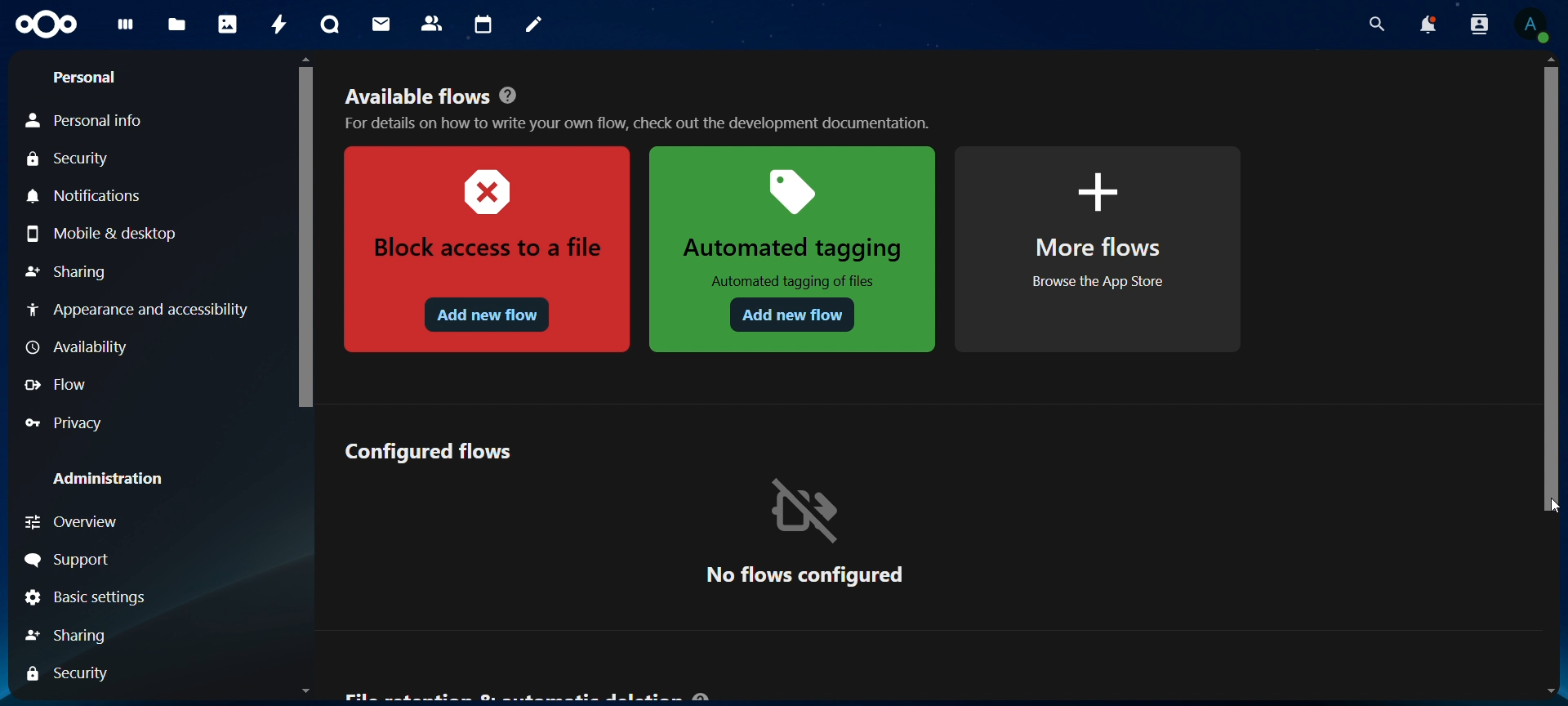 The height and width of the screenshot is (706, 1568). What do you see at coordinates (1552, 287) in the screenshot?
I see `scrollbar` at bounding box center [1552, 287].